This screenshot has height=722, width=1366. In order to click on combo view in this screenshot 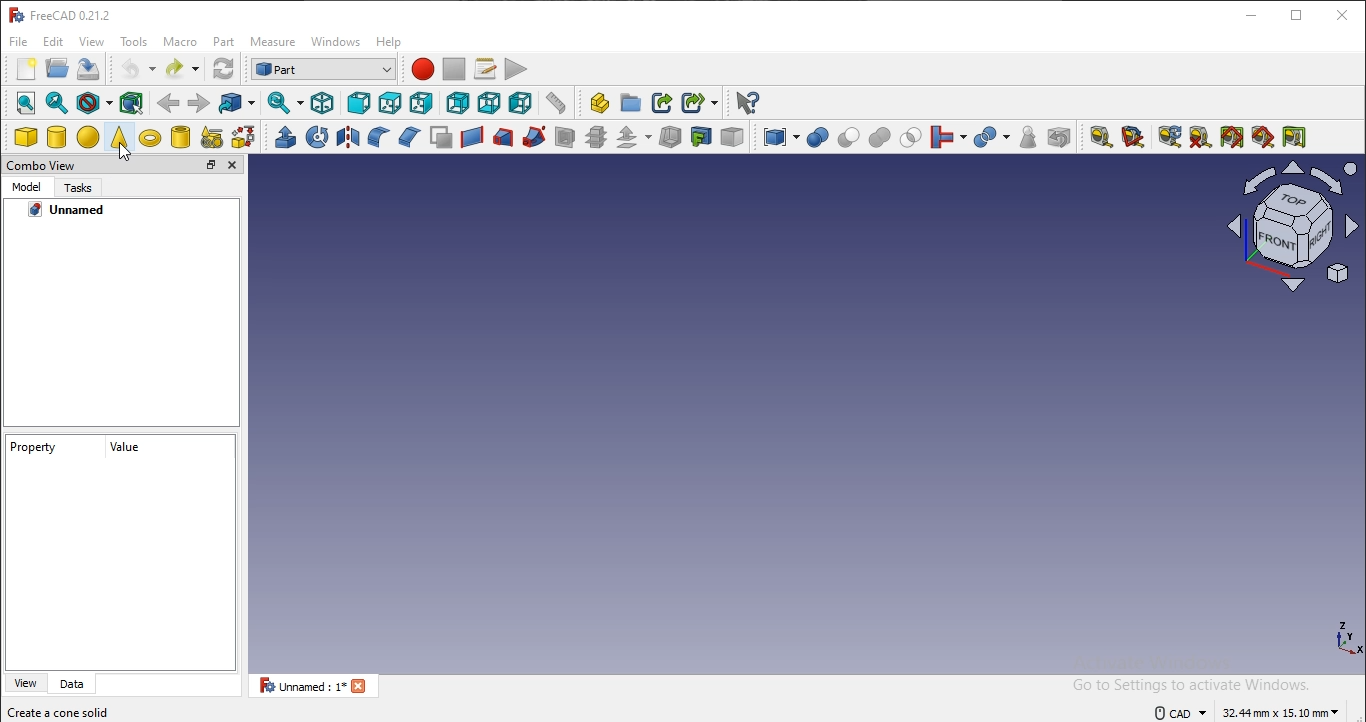, I will do `click(43, 166)`.